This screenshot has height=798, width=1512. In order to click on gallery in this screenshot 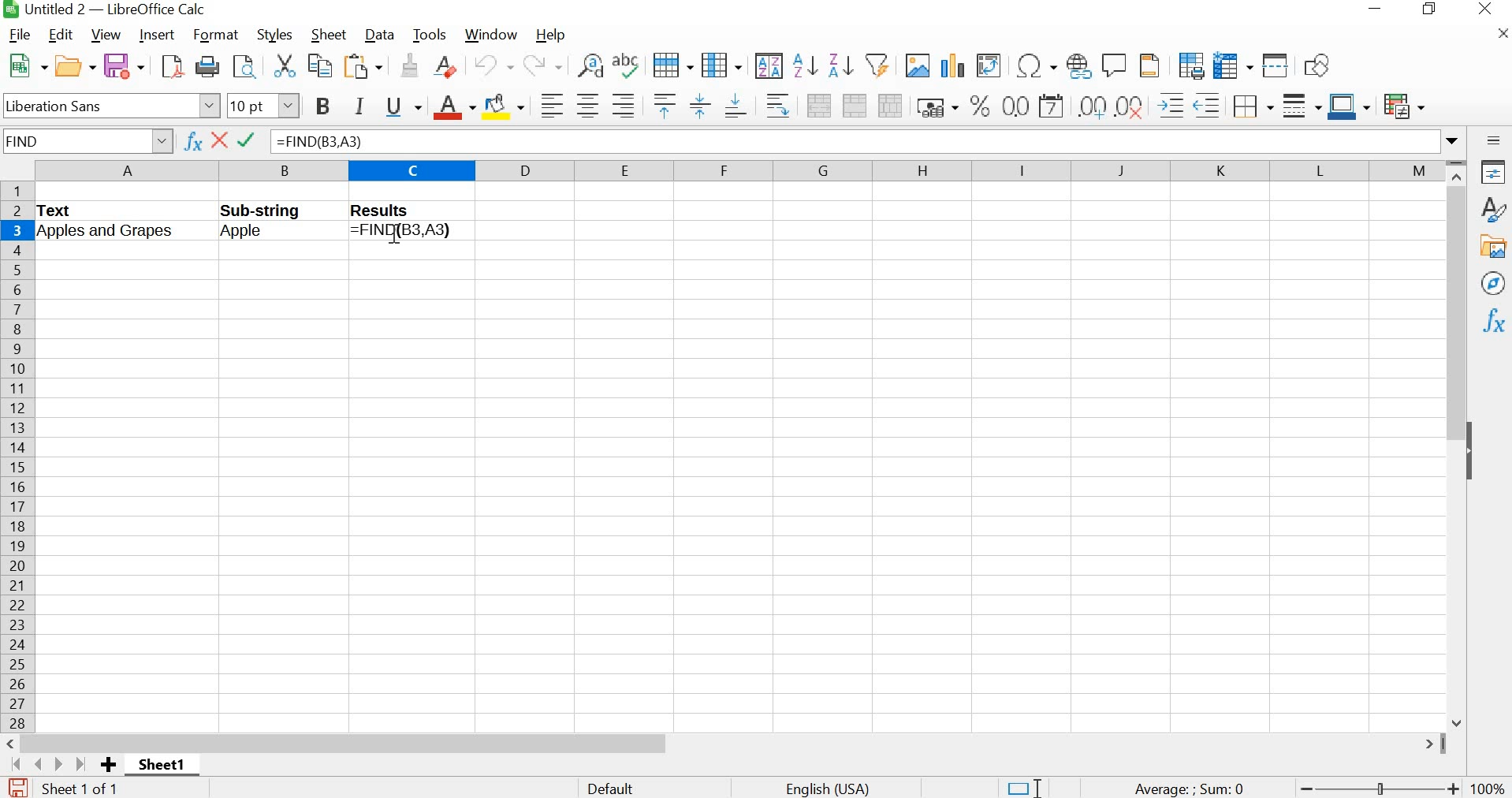, I will do `click(1492, 247)`.